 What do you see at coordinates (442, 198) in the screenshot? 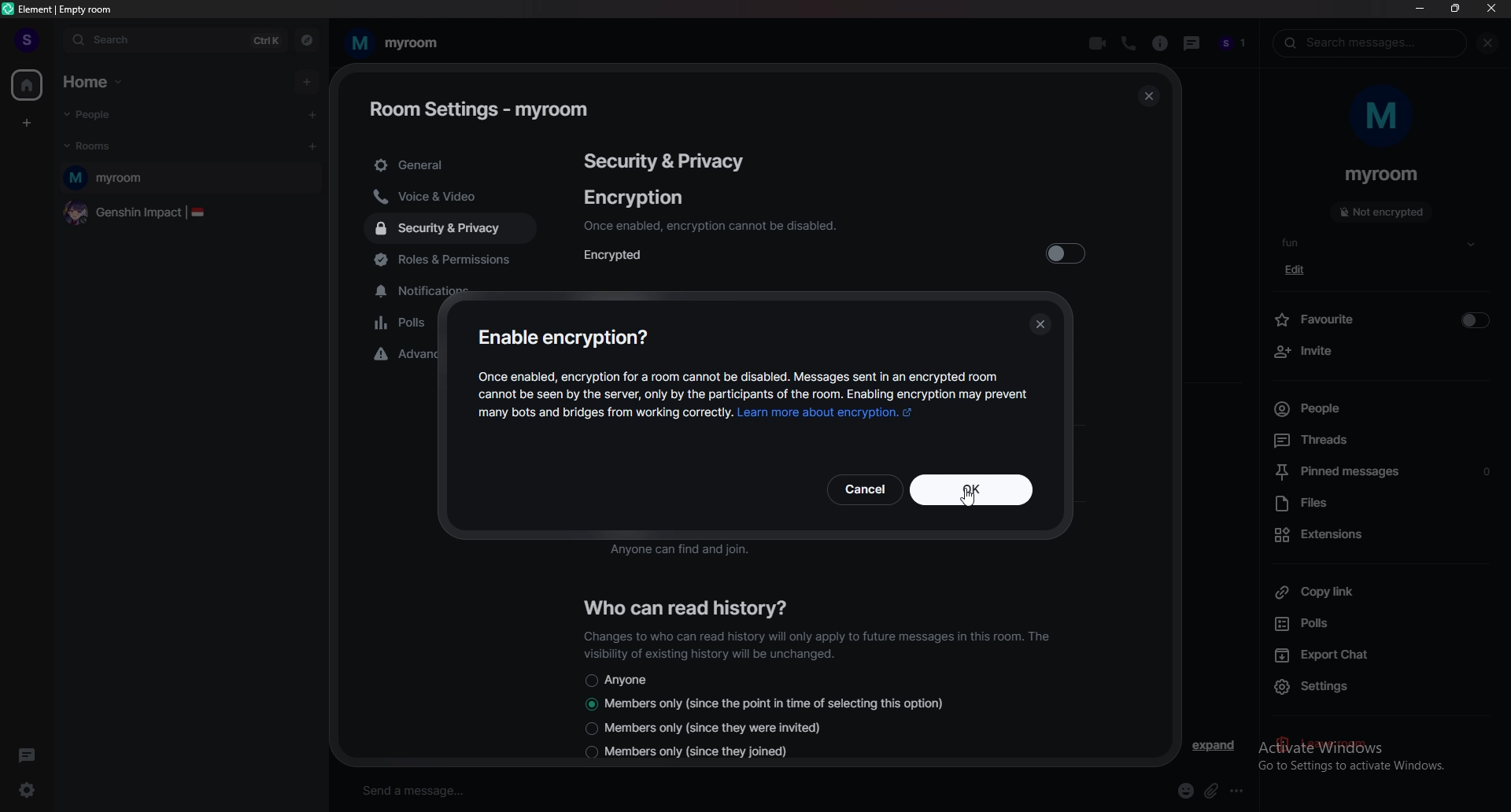
I see `voice and video` at bounding box center [442, 198].